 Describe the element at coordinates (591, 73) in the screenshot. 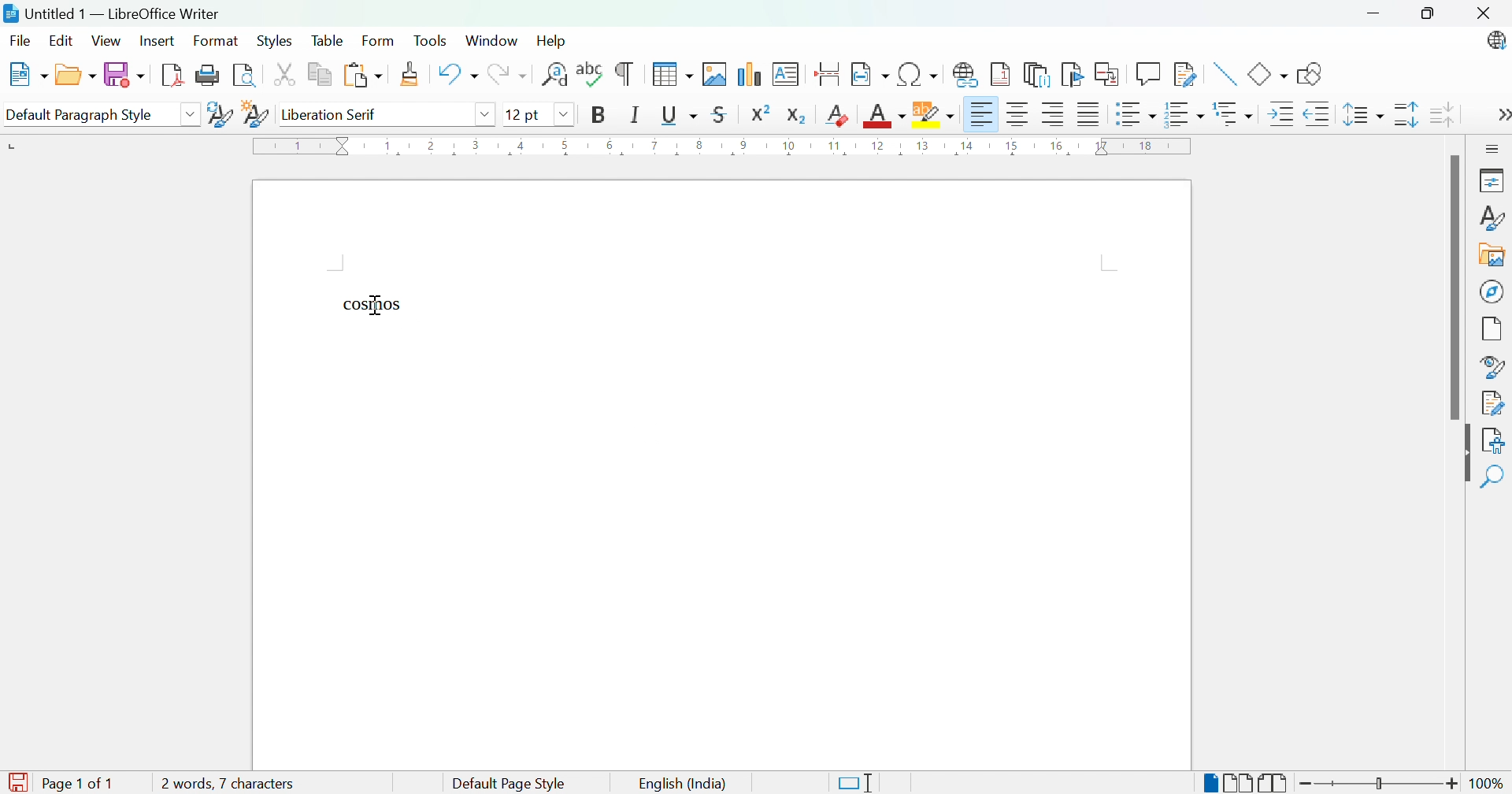

I see `Check spelling` at that location.